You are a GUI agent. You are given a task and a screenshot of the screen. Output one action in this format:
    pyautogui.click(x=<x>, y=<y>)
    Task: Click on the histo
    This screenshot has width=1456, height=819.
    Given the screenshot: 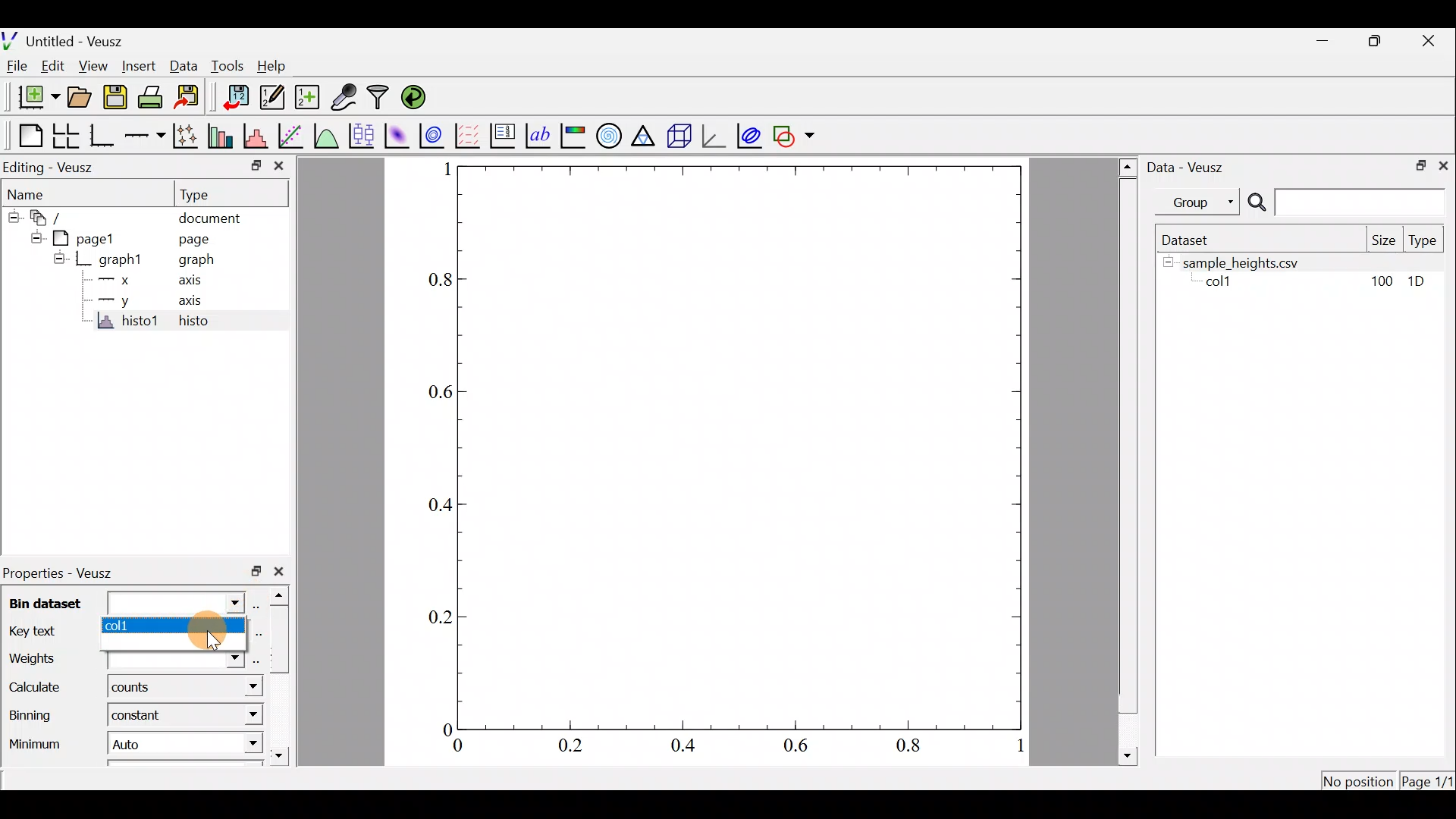 What is the action you would take?
    pyautogui.click(x=206, y=322)
    